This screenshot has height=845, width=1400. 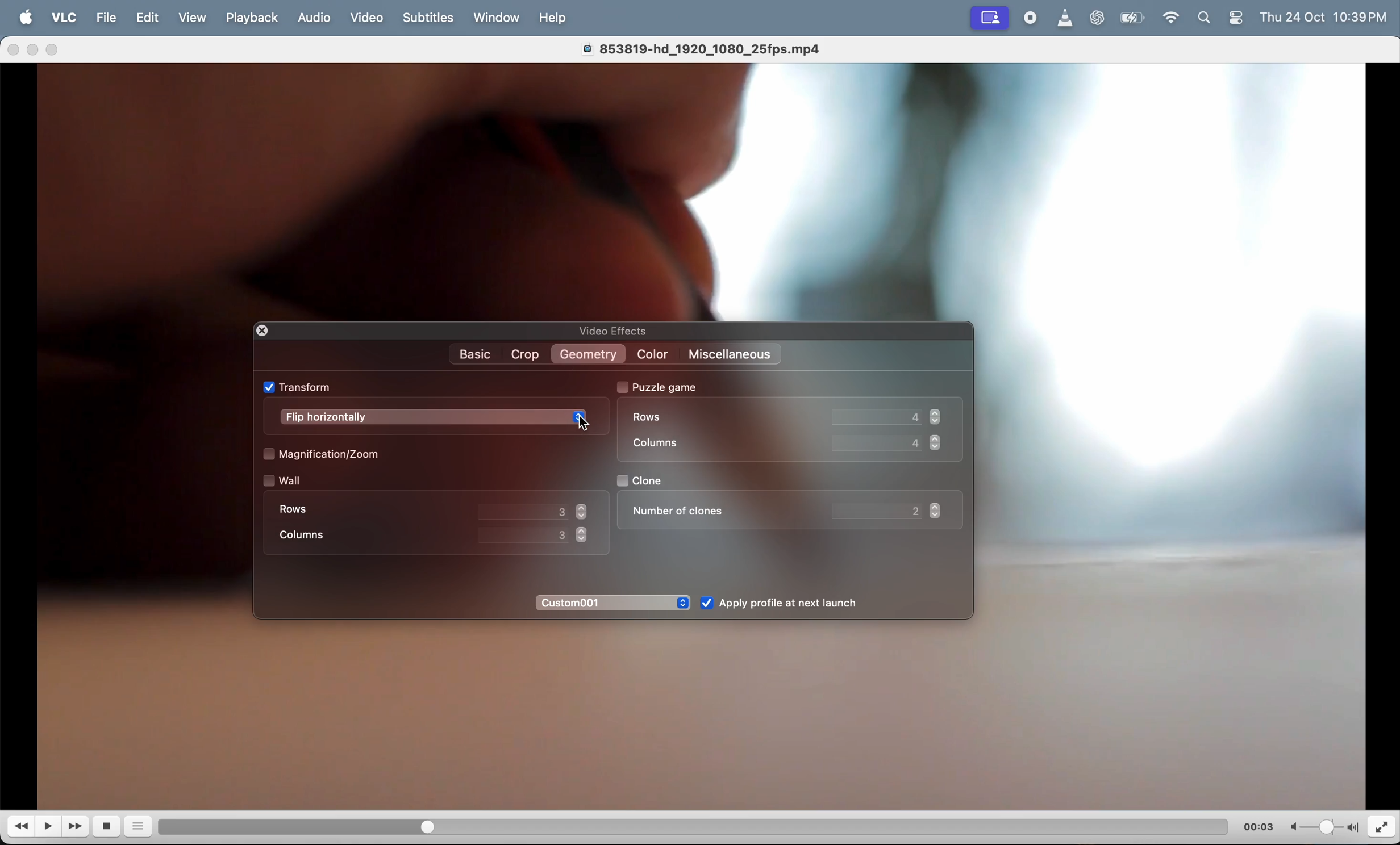 I want to click on vlc menu, so click(x=63, y=19).